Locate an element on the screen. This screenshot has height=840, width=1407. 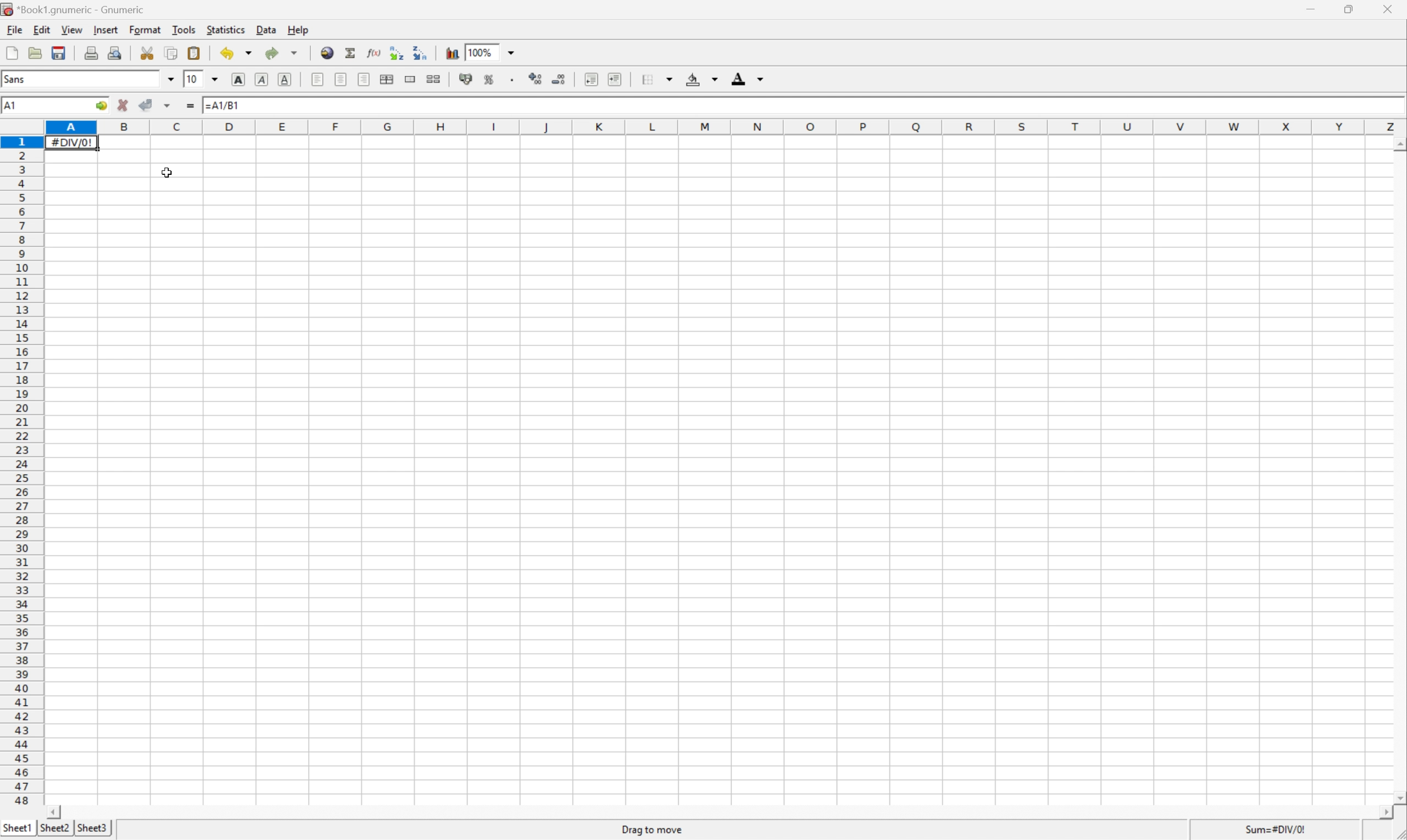
Increase the indent, and align the contents to left is located at coordinates (617, 80).